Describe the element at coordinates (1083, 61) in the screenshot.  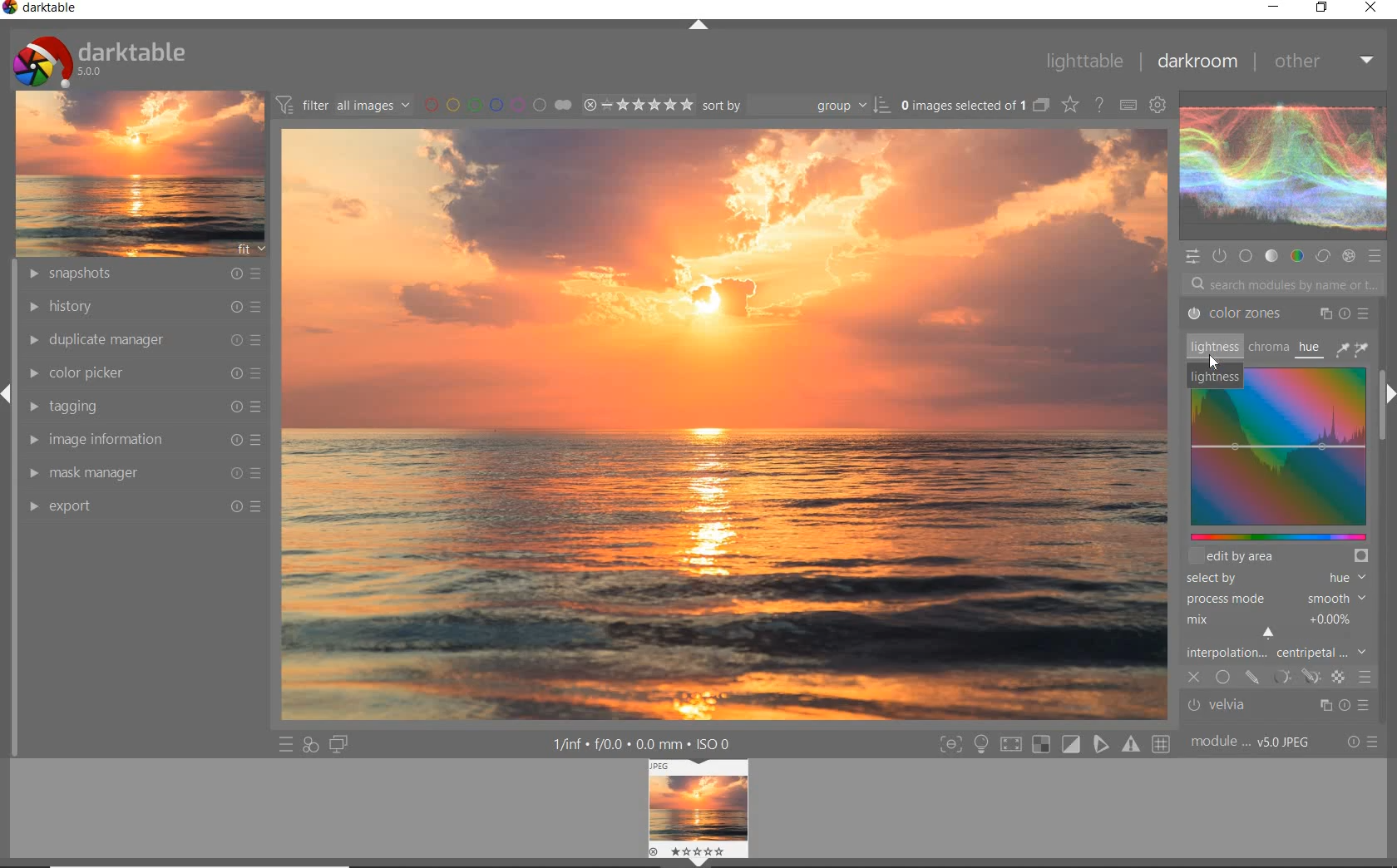
I see `lighttable` at that location.